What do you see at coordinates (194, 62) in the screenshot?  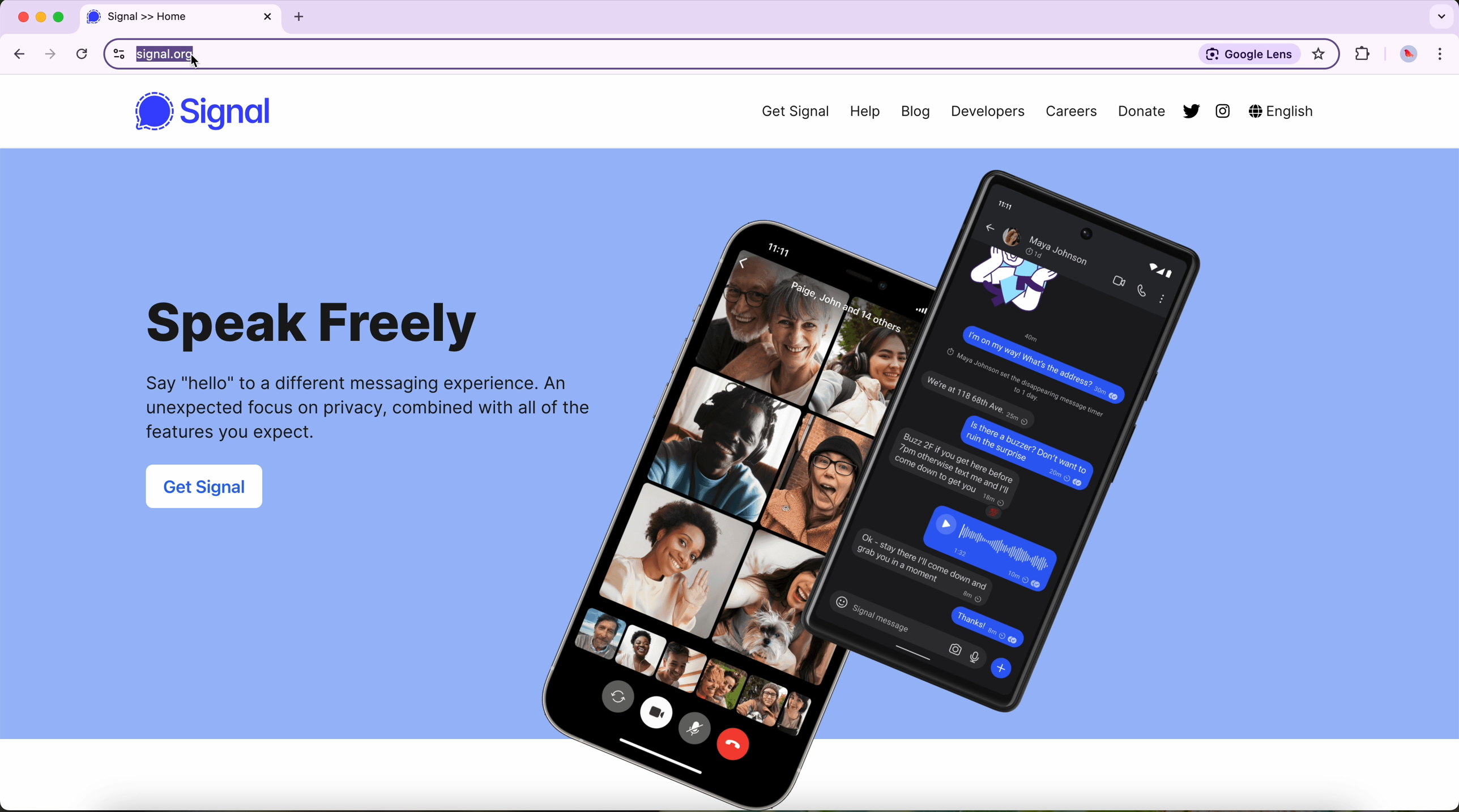 I see `cursor` at bounding box center [194, 62].